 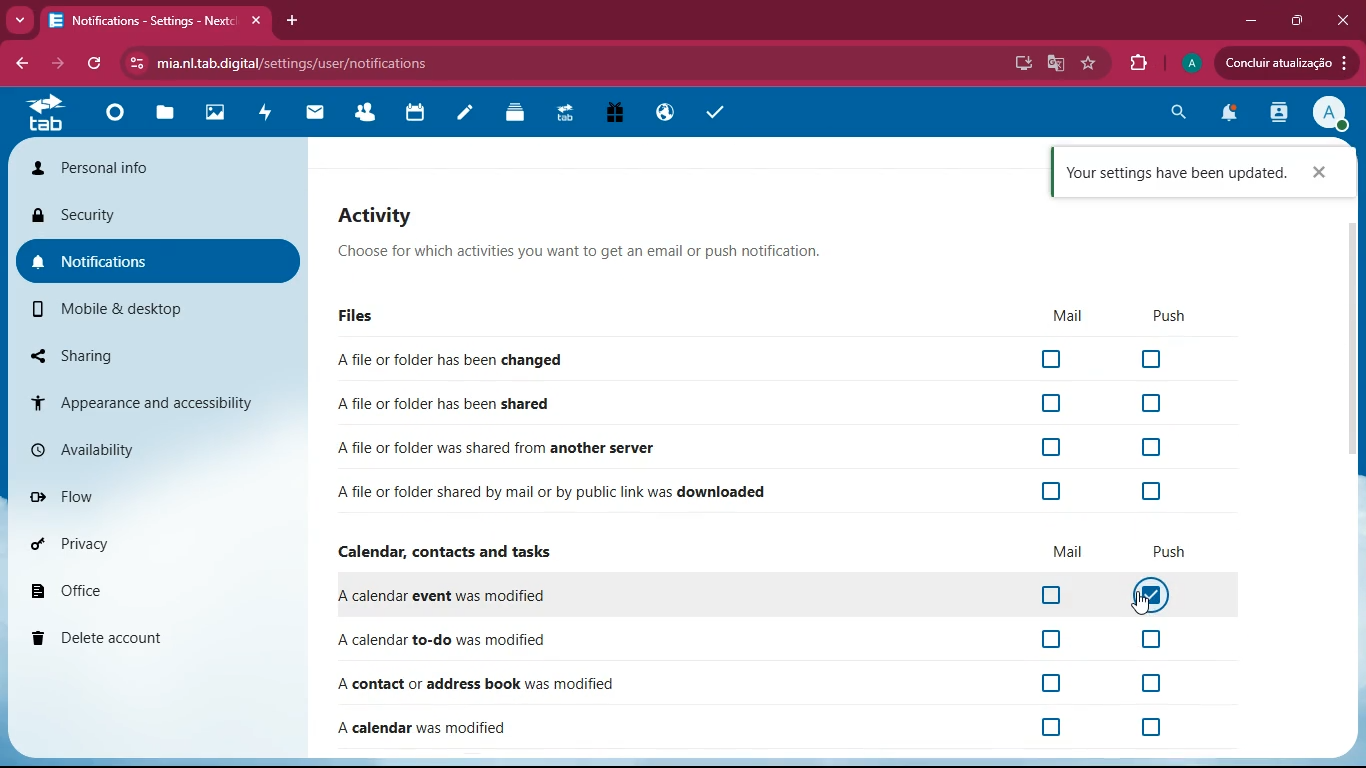 I want to click on off, so click(x=1054, y=729).